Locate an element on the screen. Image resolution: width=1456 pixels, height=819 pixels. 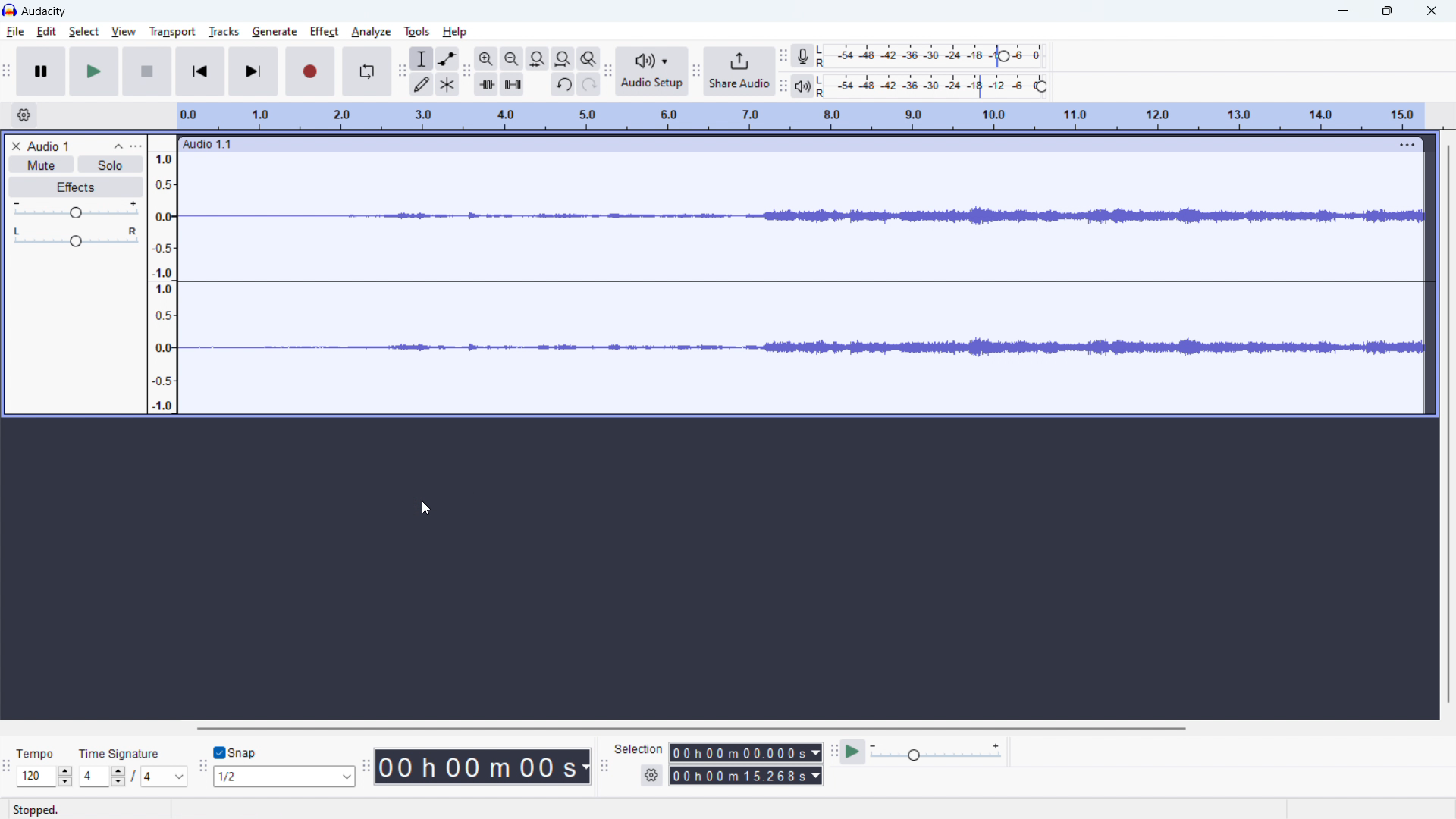
effect is located at coordinates (325, 32).